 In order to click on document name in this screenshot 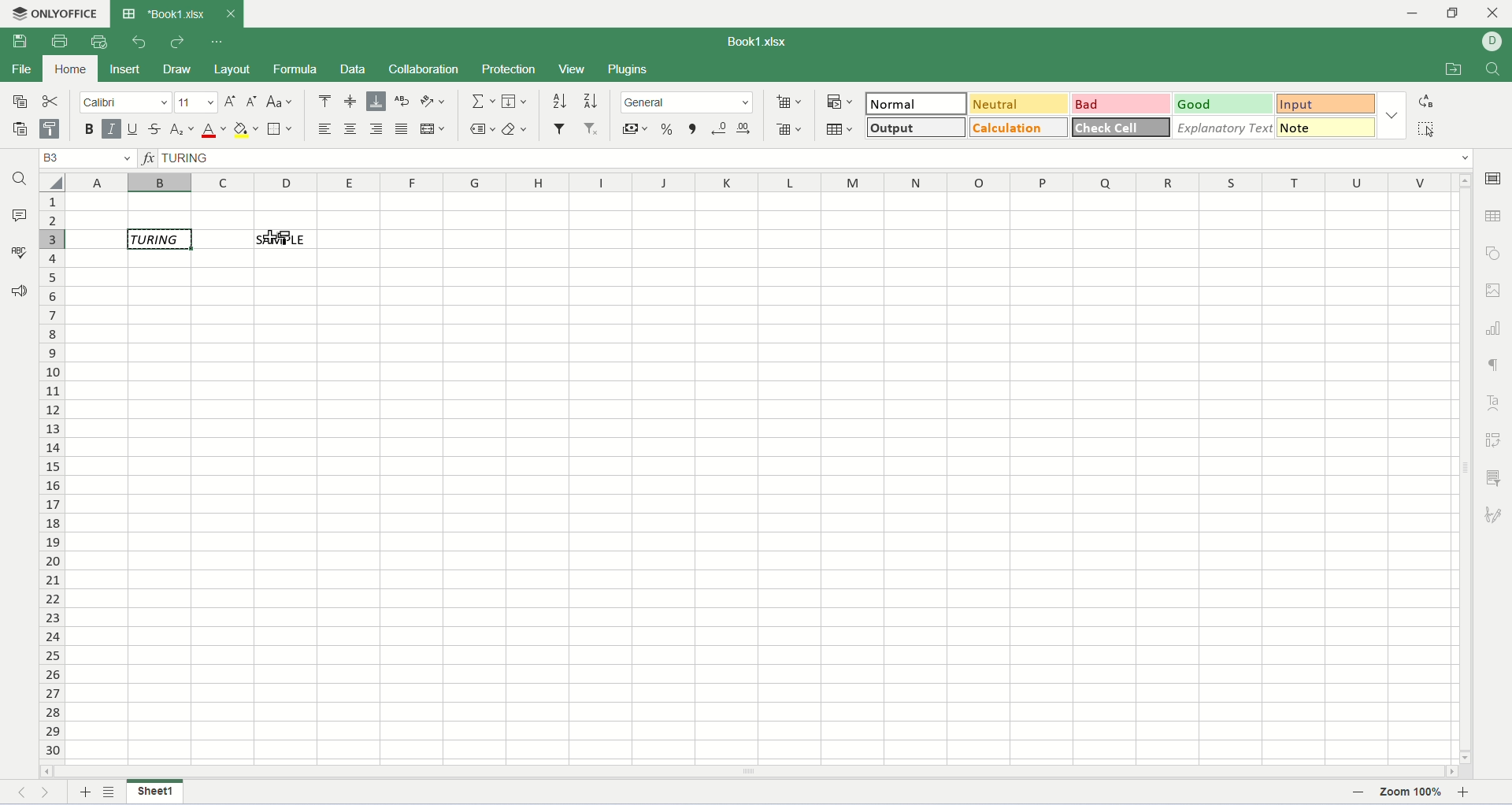, I will do `click(754, 43)`.